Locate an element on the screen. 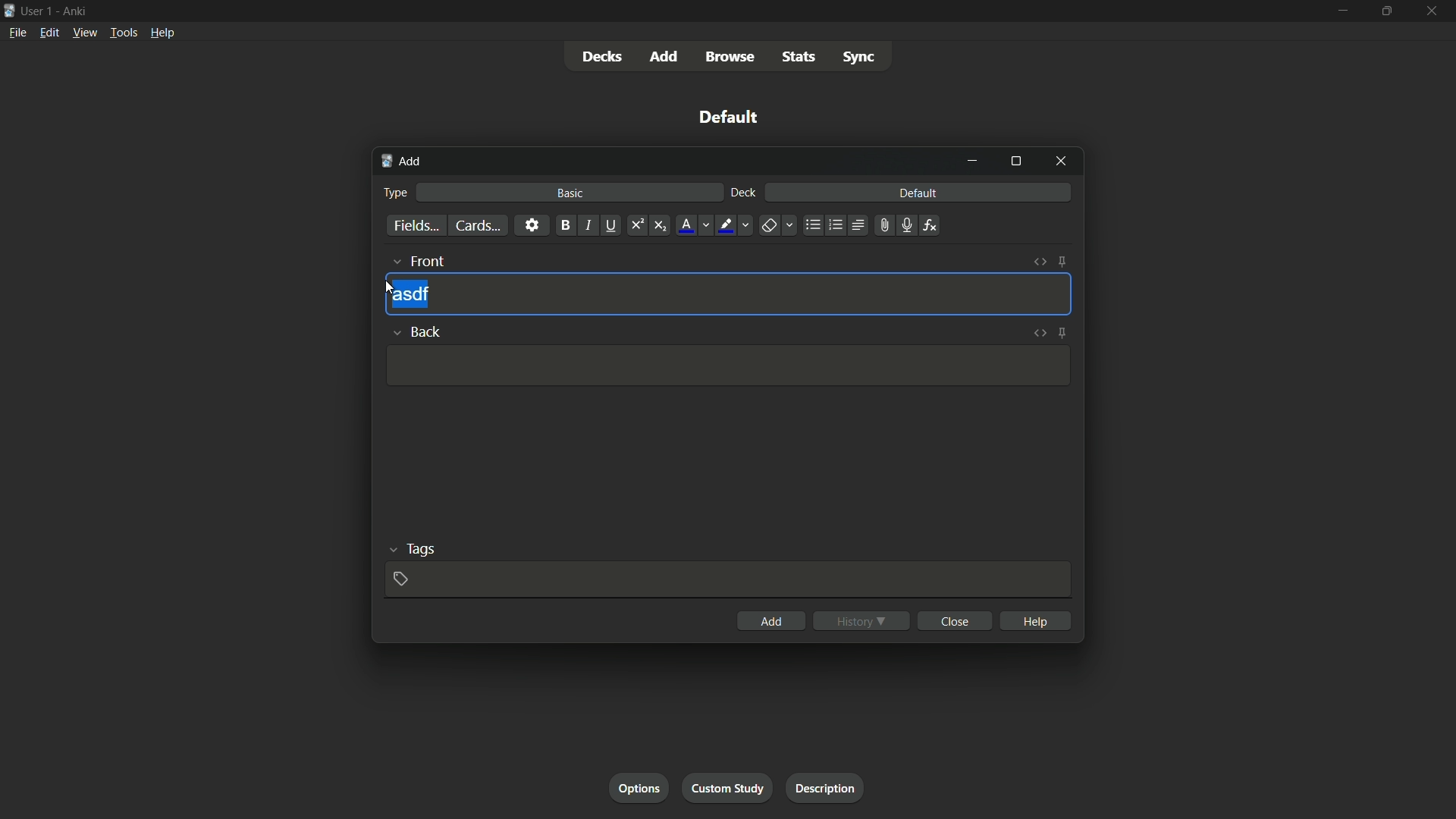  options is located at coordinates (639, 787).